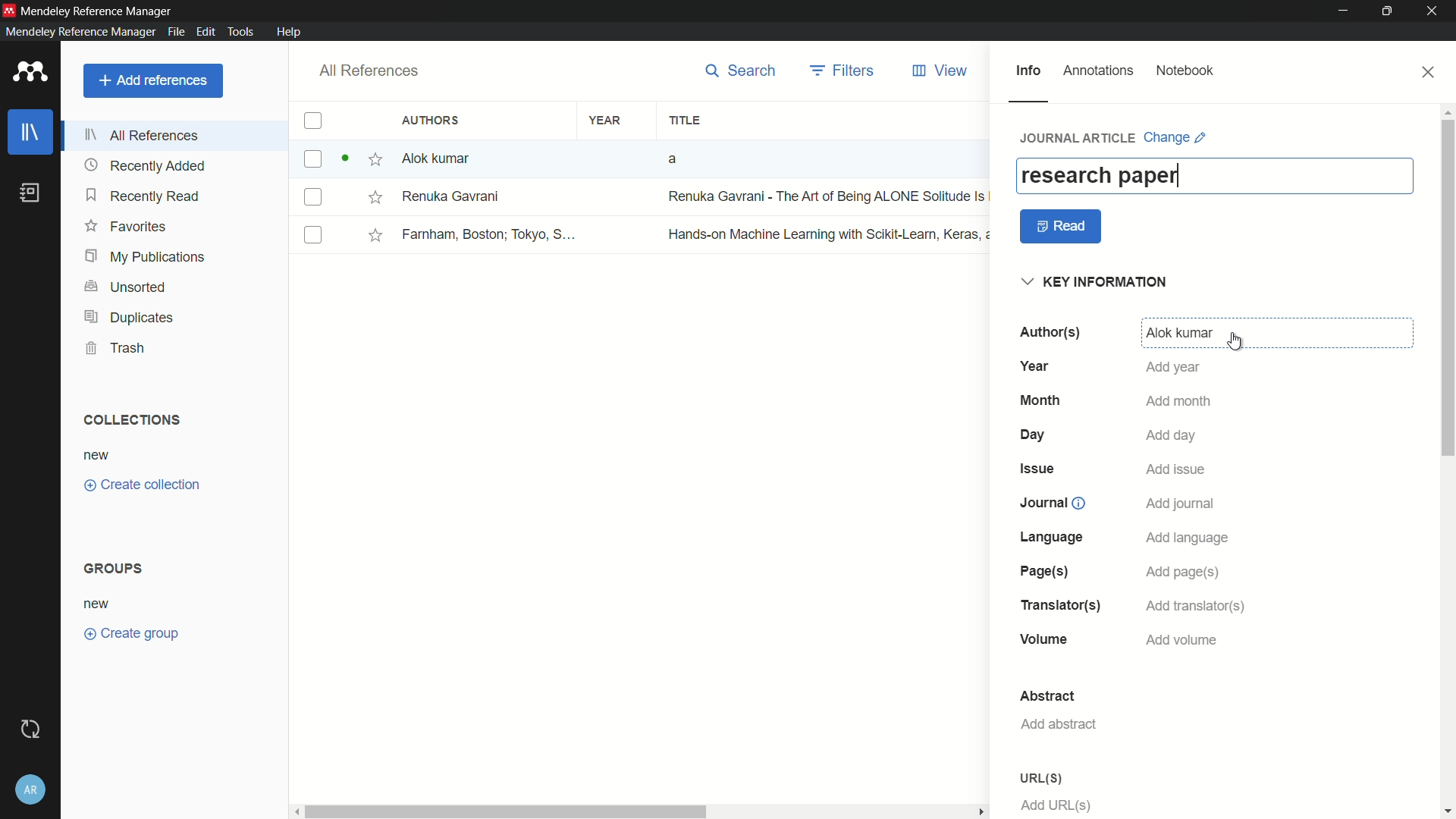 This screenshot has height=819, width=1456. Describe the element at coordinates (642, 811) in the screenshot. I see `horizontal scrollbar` at that location.